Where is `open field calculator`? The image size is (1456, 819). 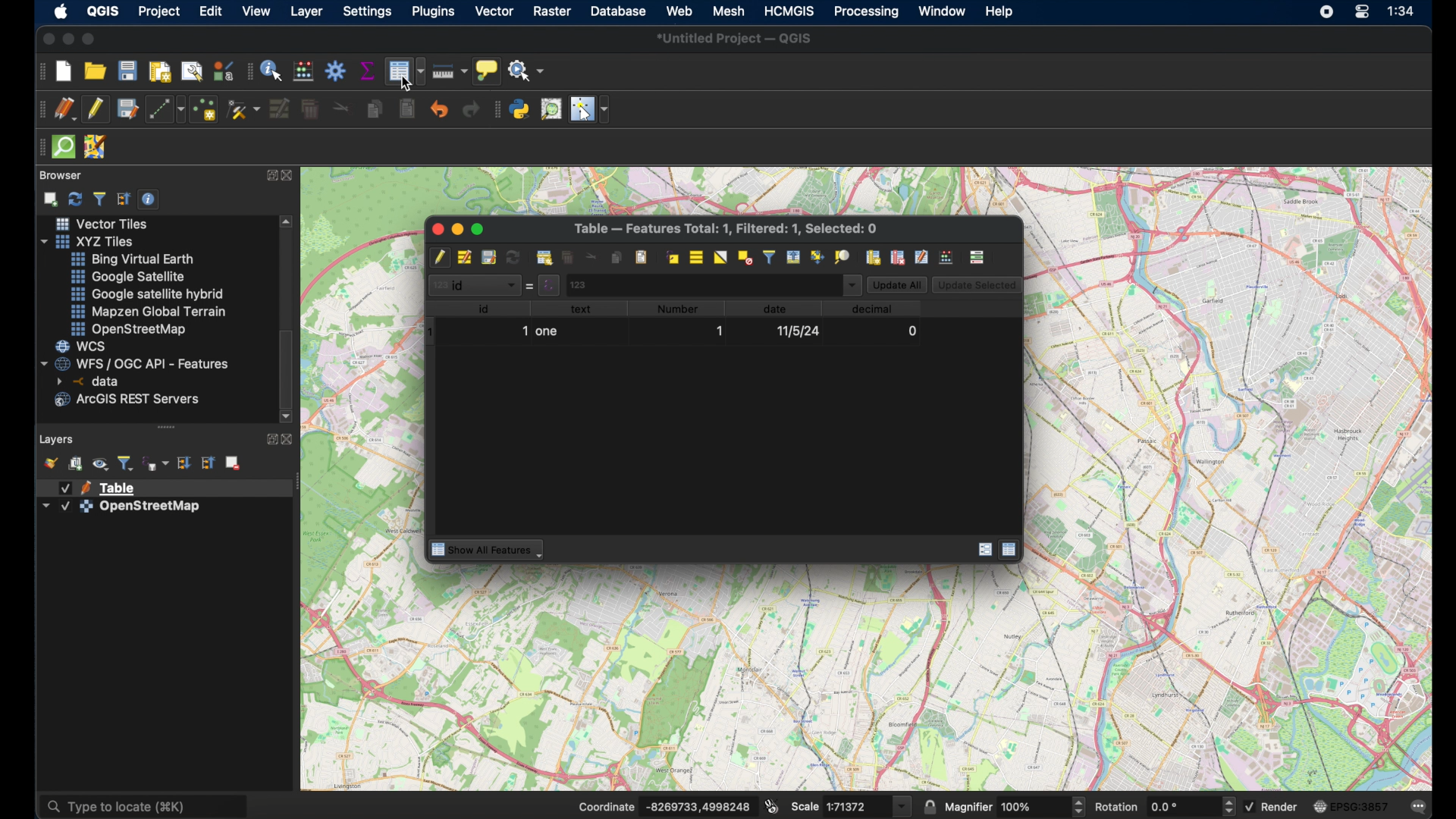 open field calculator is located at coordinates (948, 253).